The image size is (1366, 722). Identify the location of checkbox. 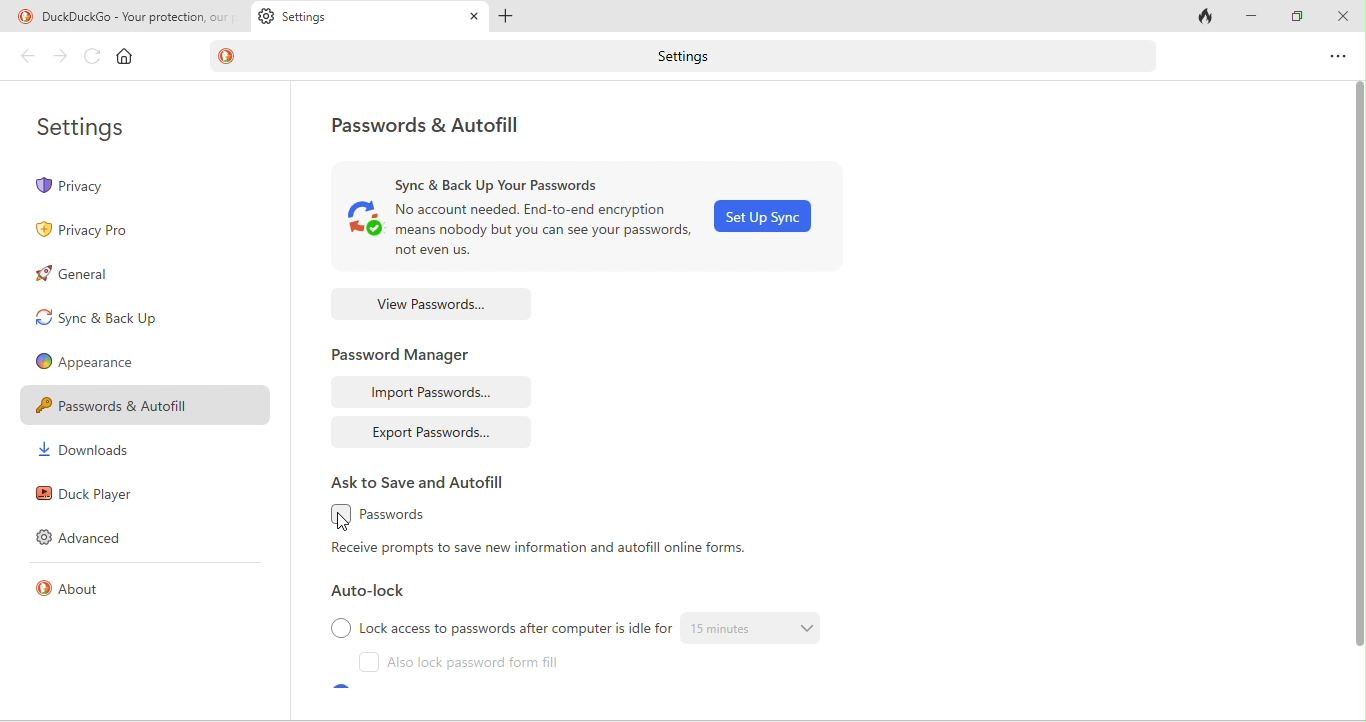
(372, 665).